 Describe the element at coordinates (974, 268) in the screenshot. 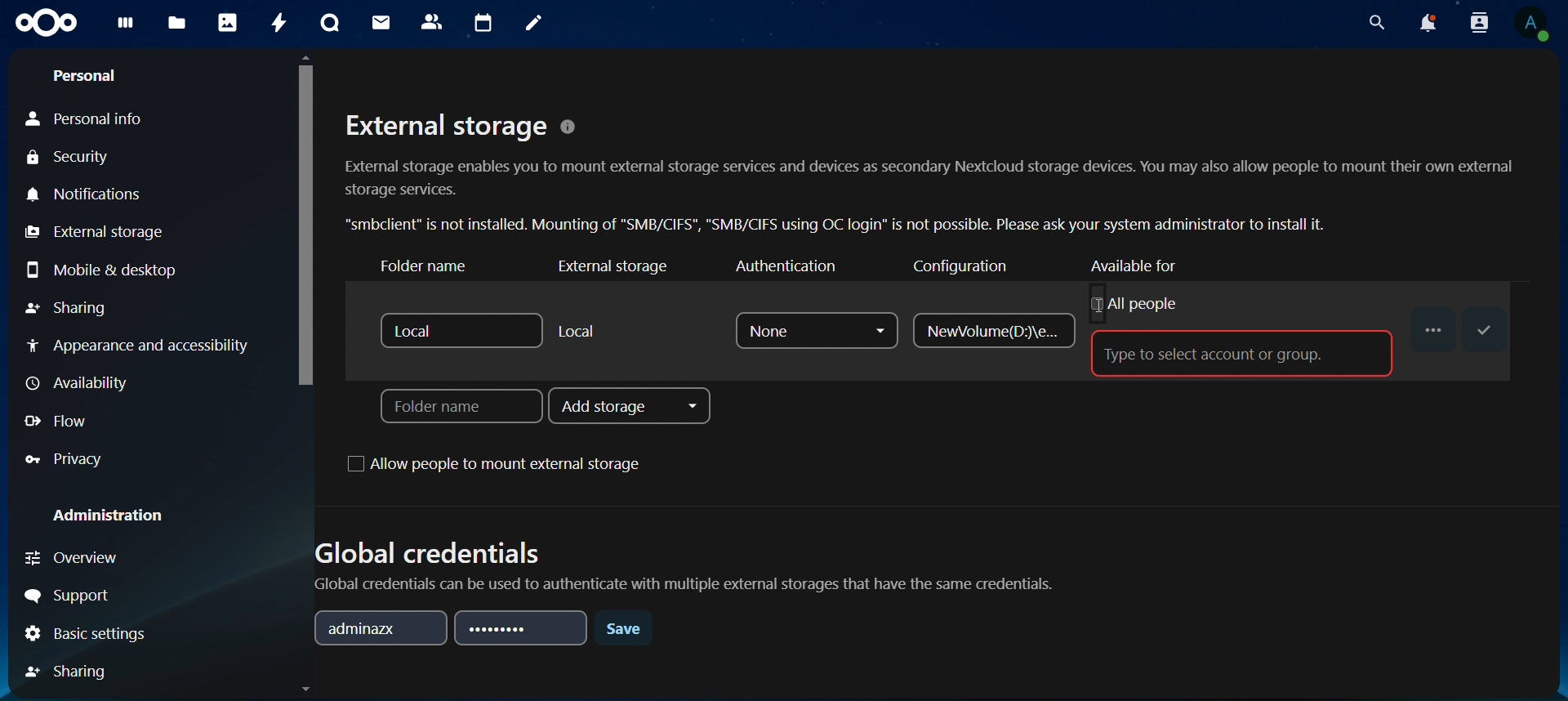

I see `configuration` at that location.